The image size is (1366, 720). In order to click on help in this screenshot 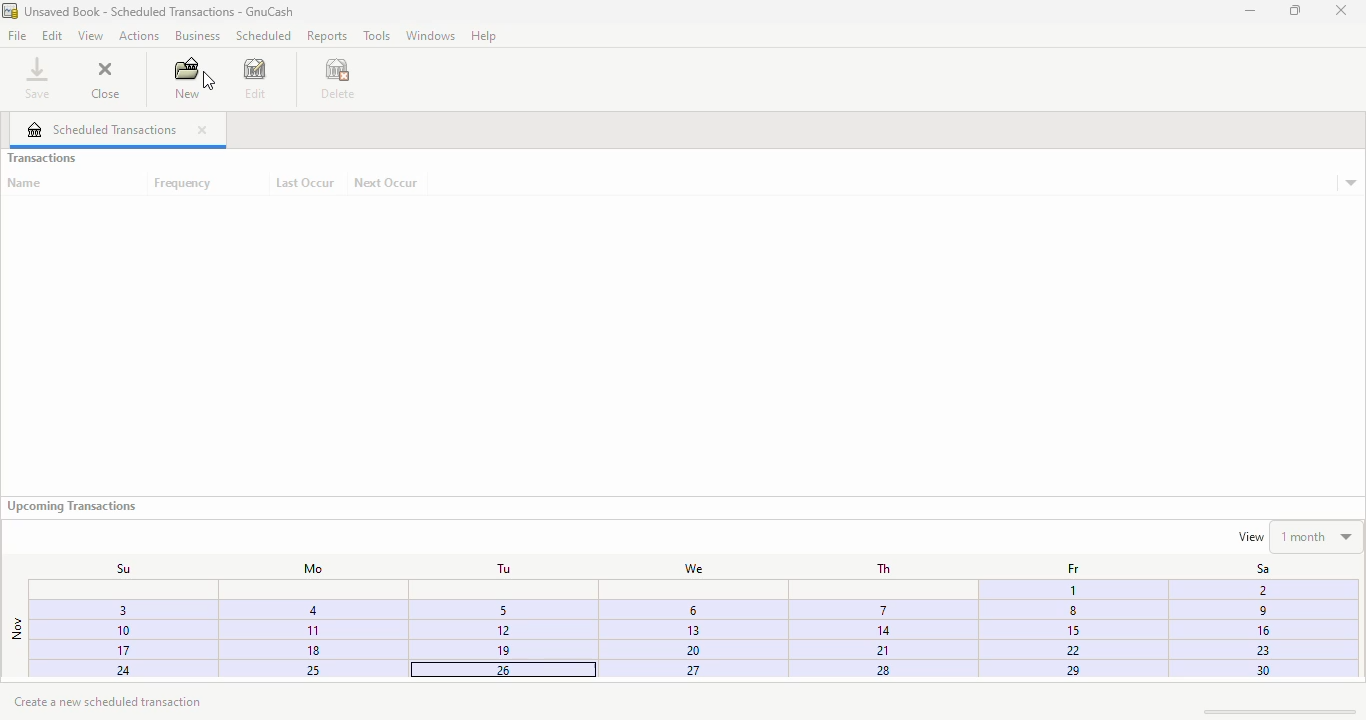, I will do `click(483, 35)`.